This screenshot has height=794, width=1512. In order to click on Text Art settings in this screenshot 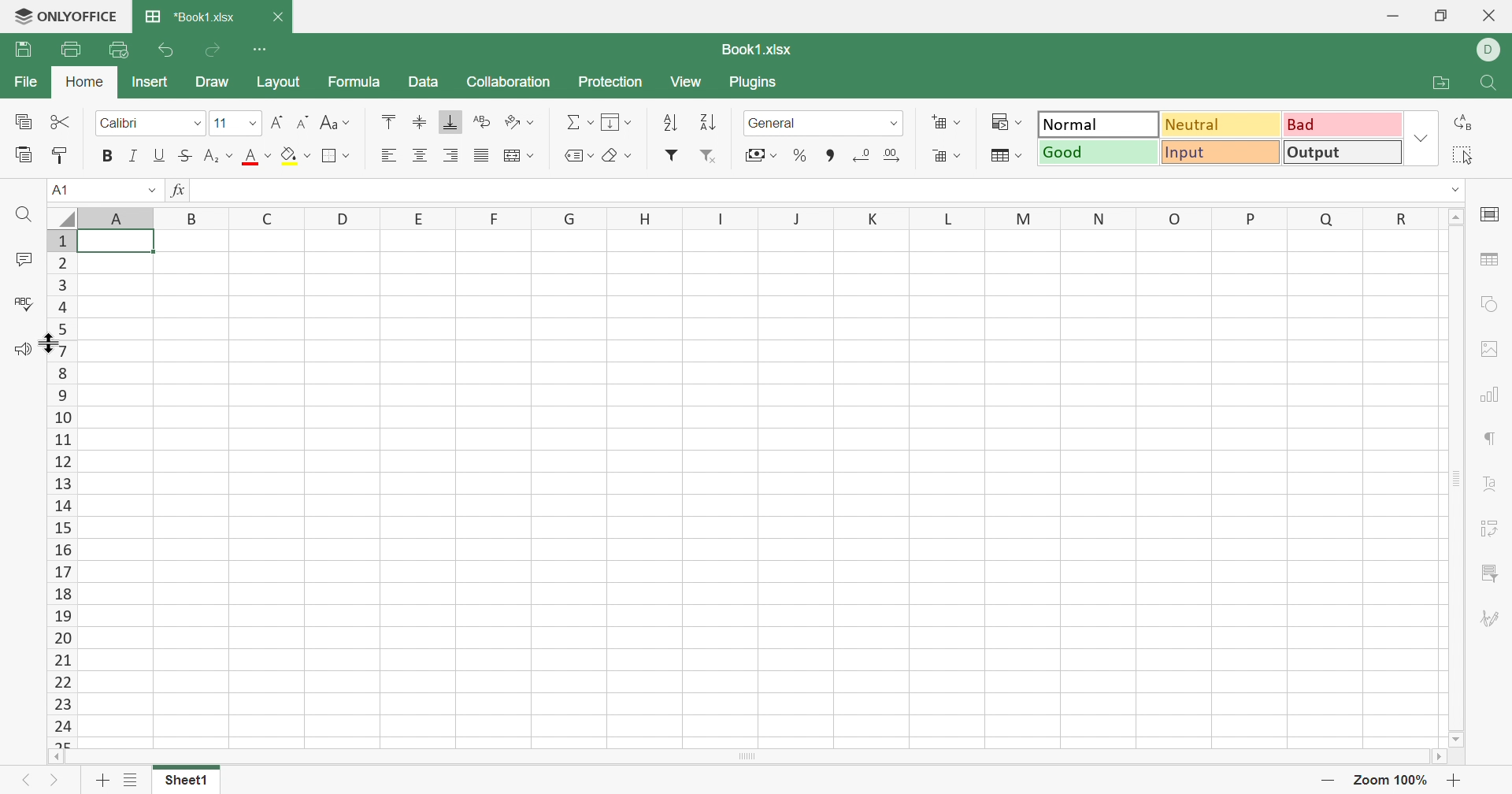, I will do `click(1490, 486)`.